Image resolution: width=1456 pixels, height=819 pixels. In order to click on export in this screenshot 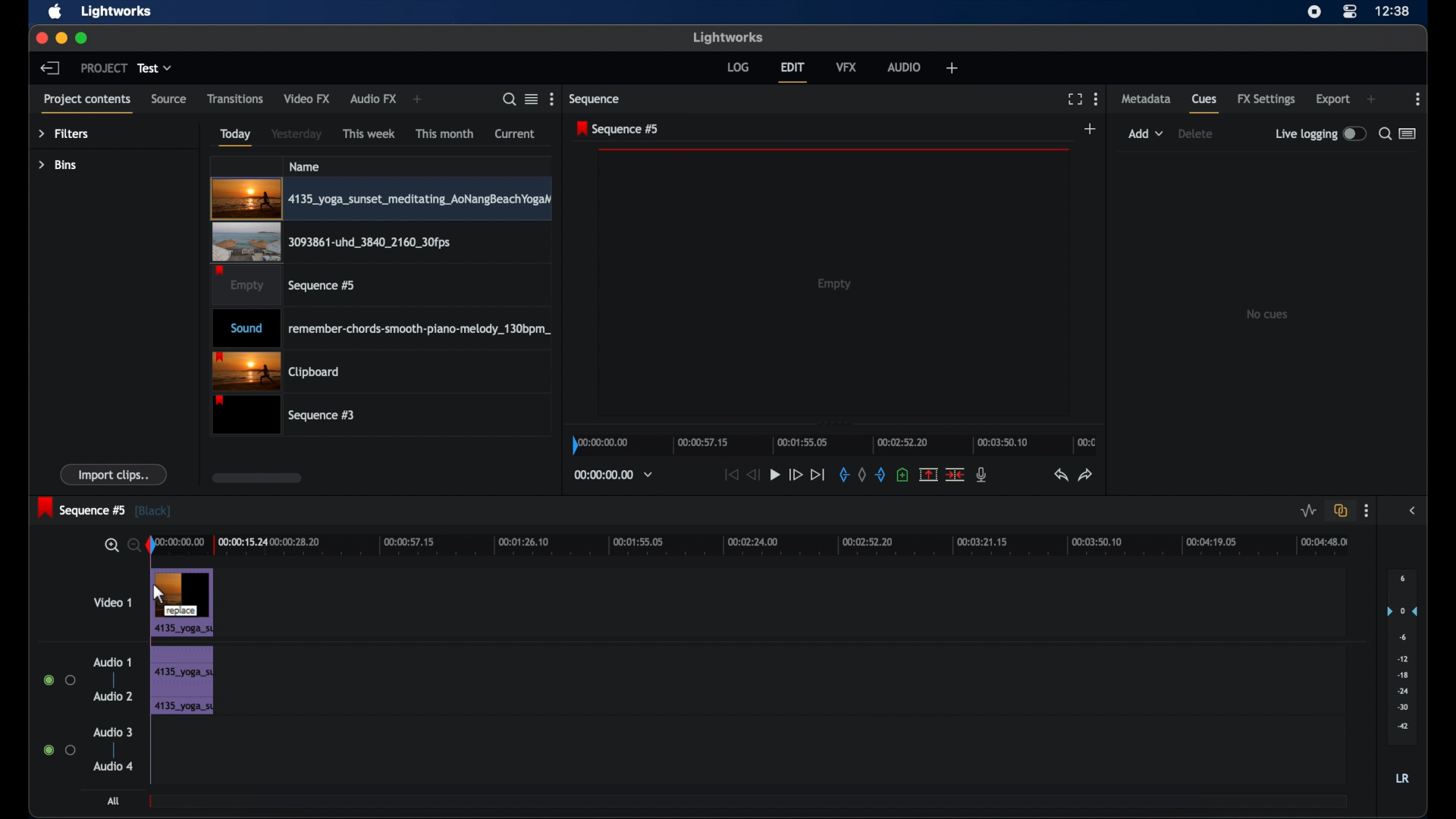, I will do `click(1334, 99)`.